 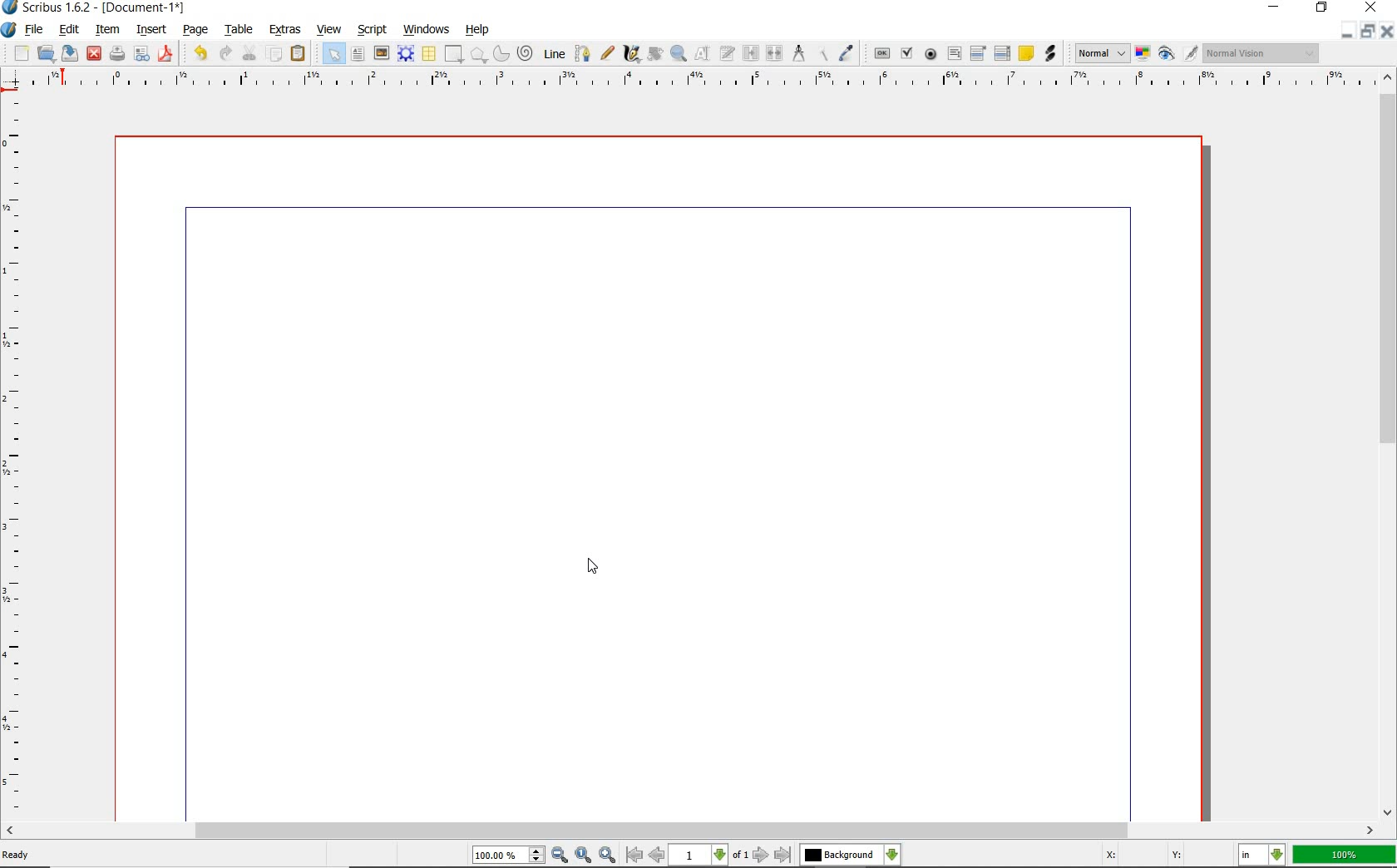 What do you see at coordinates (227, 54) in the screenshot?
I see `redo` at bounding box center [227, 54].